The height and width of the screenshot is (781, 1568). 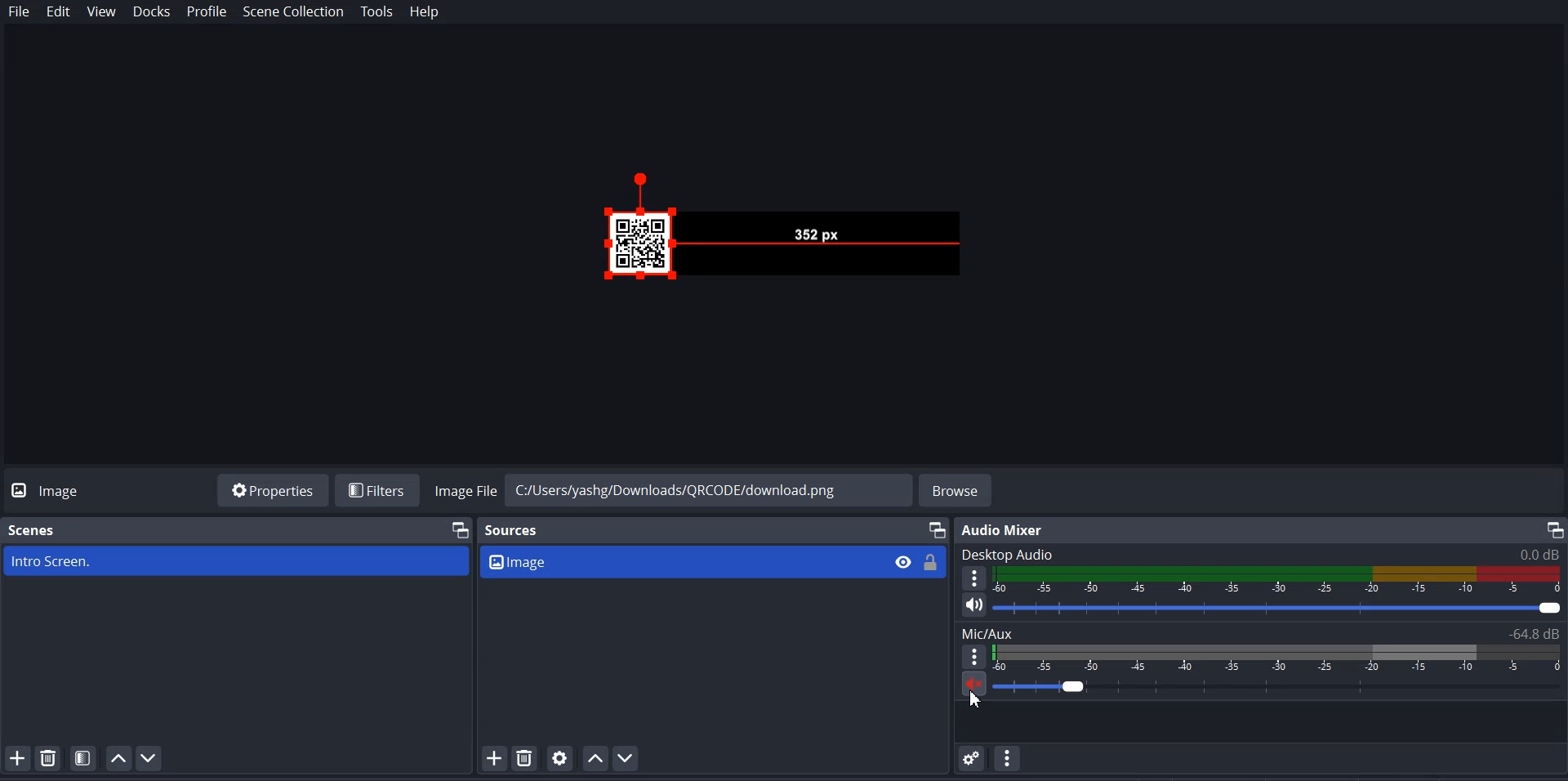 What do you see at coordinates (937, 529) in the screenshot?
I see `Maximize` at bounding box center [937, 529].